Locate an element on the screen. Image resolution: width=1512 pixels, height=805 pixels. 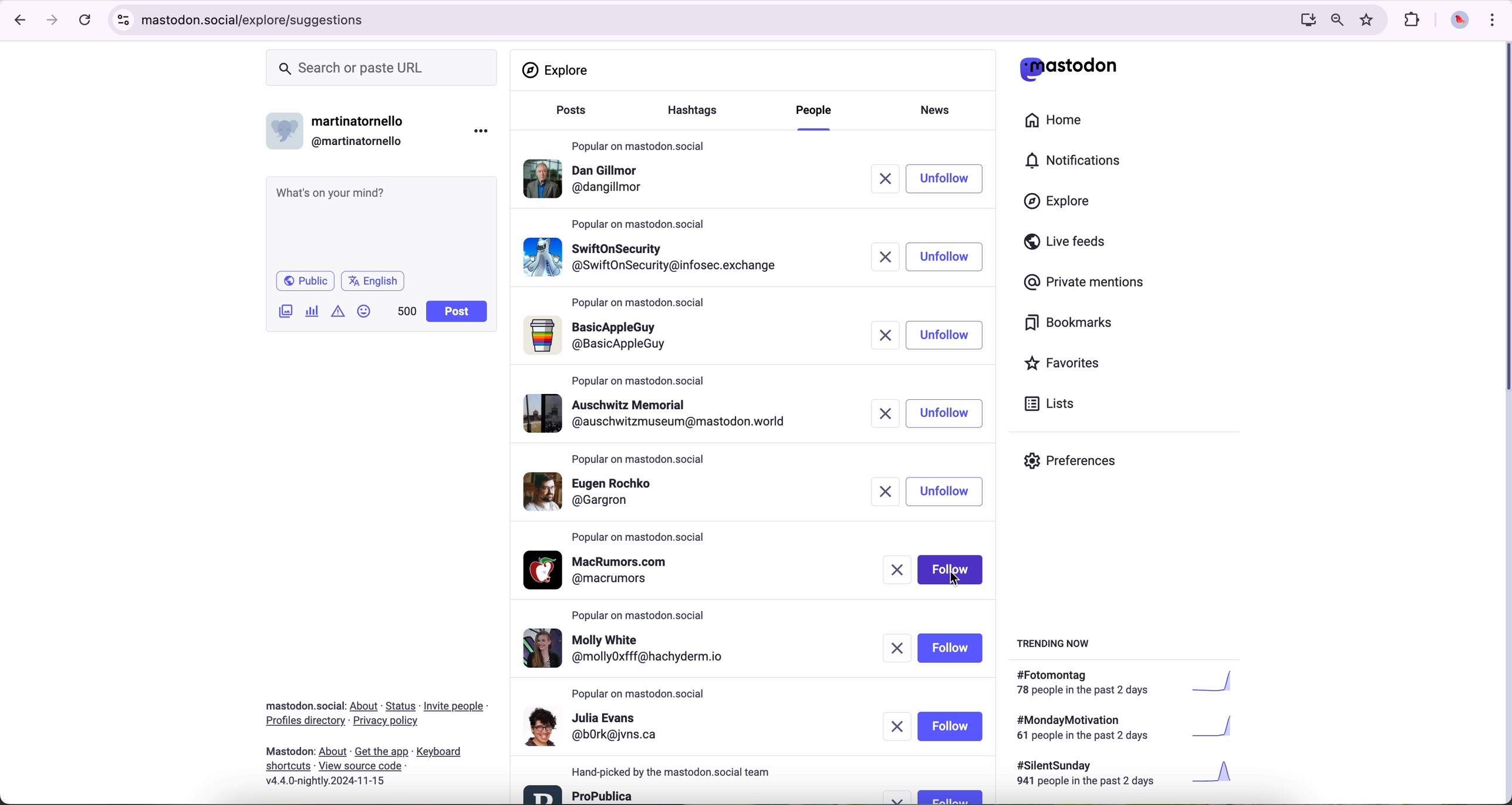
favorites is located at coordinates (1369, 20).